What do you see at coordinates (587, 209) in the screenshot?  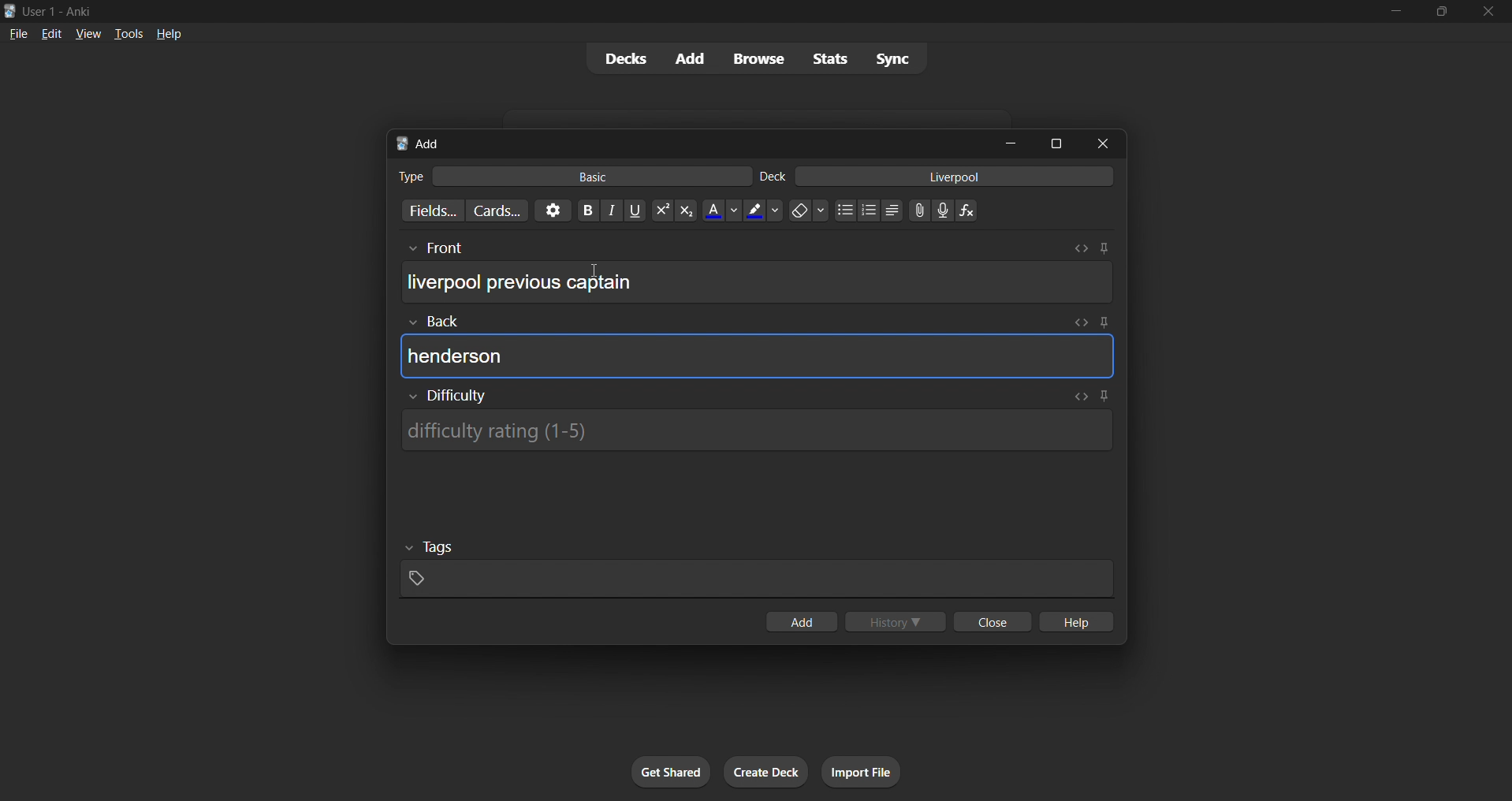 I see `Bold` at bounding box center [587, 209].